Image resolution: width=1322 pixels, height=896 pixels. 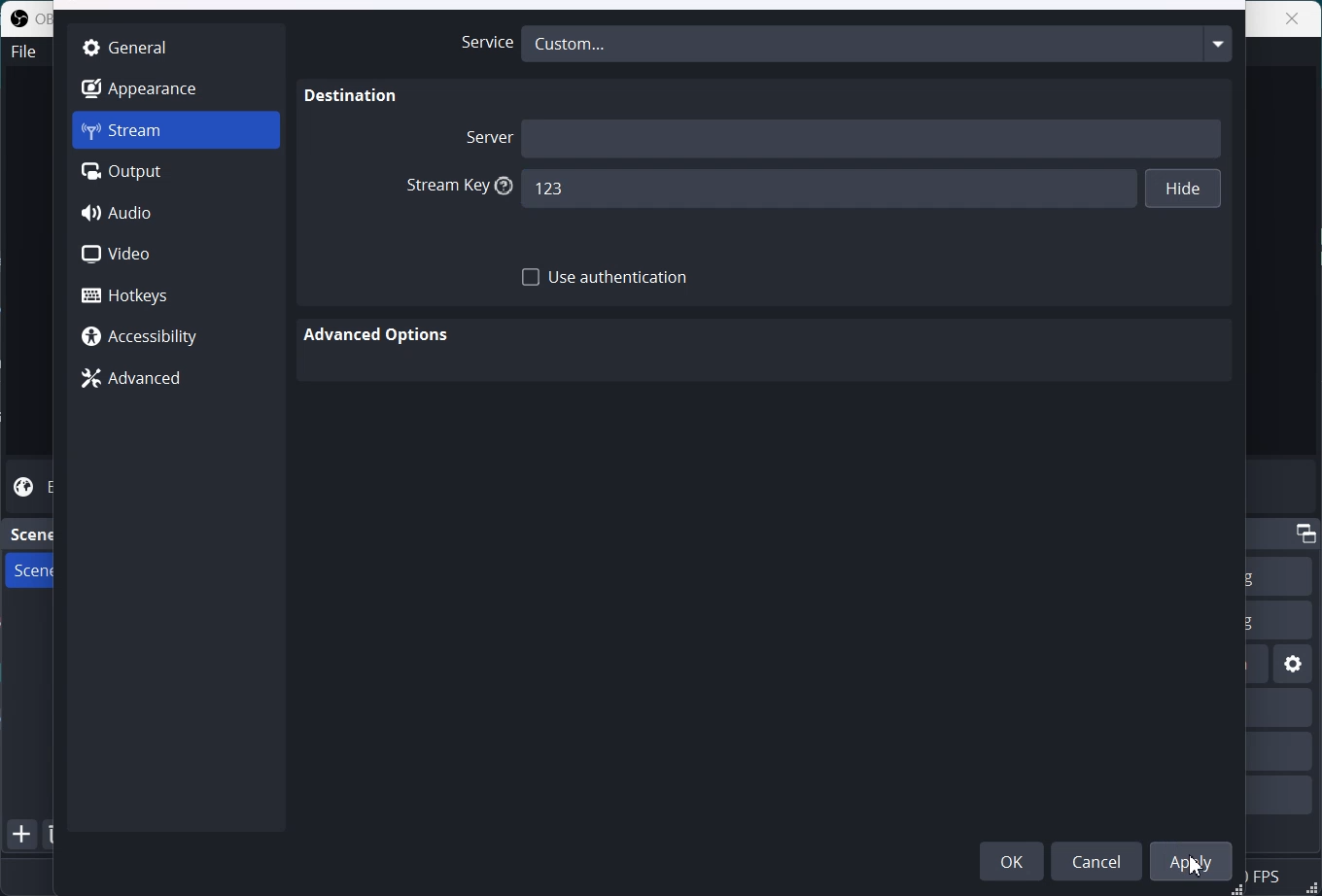 I want to click on Accessibility, so click(x=175, y=338).